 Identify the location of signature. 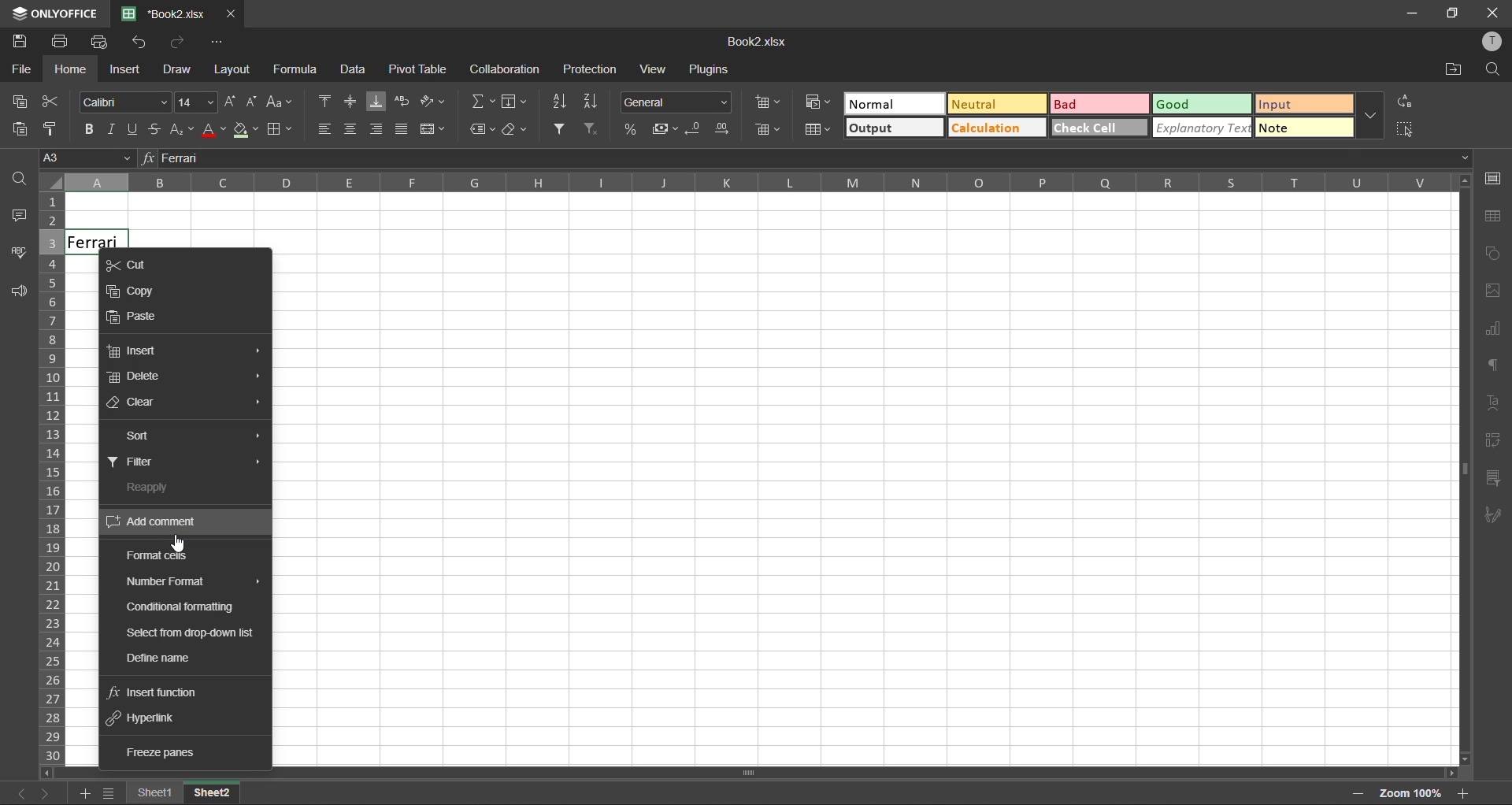
(1495, 514).